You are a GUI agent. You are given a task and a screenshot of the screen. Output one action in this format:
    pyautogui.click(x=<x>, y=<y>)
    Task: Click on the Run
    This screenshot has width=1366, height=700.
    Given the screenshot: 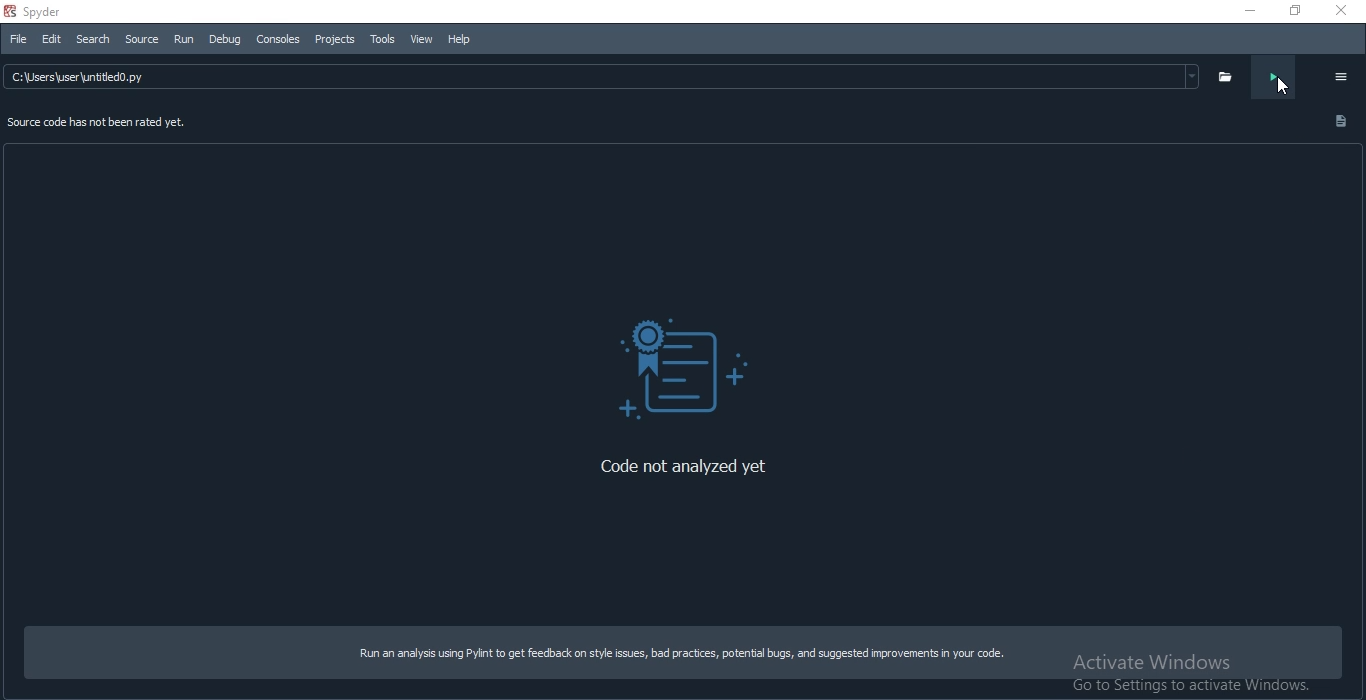 What is the action you would take?
    pyautogui.click(x=181, y=39)
    